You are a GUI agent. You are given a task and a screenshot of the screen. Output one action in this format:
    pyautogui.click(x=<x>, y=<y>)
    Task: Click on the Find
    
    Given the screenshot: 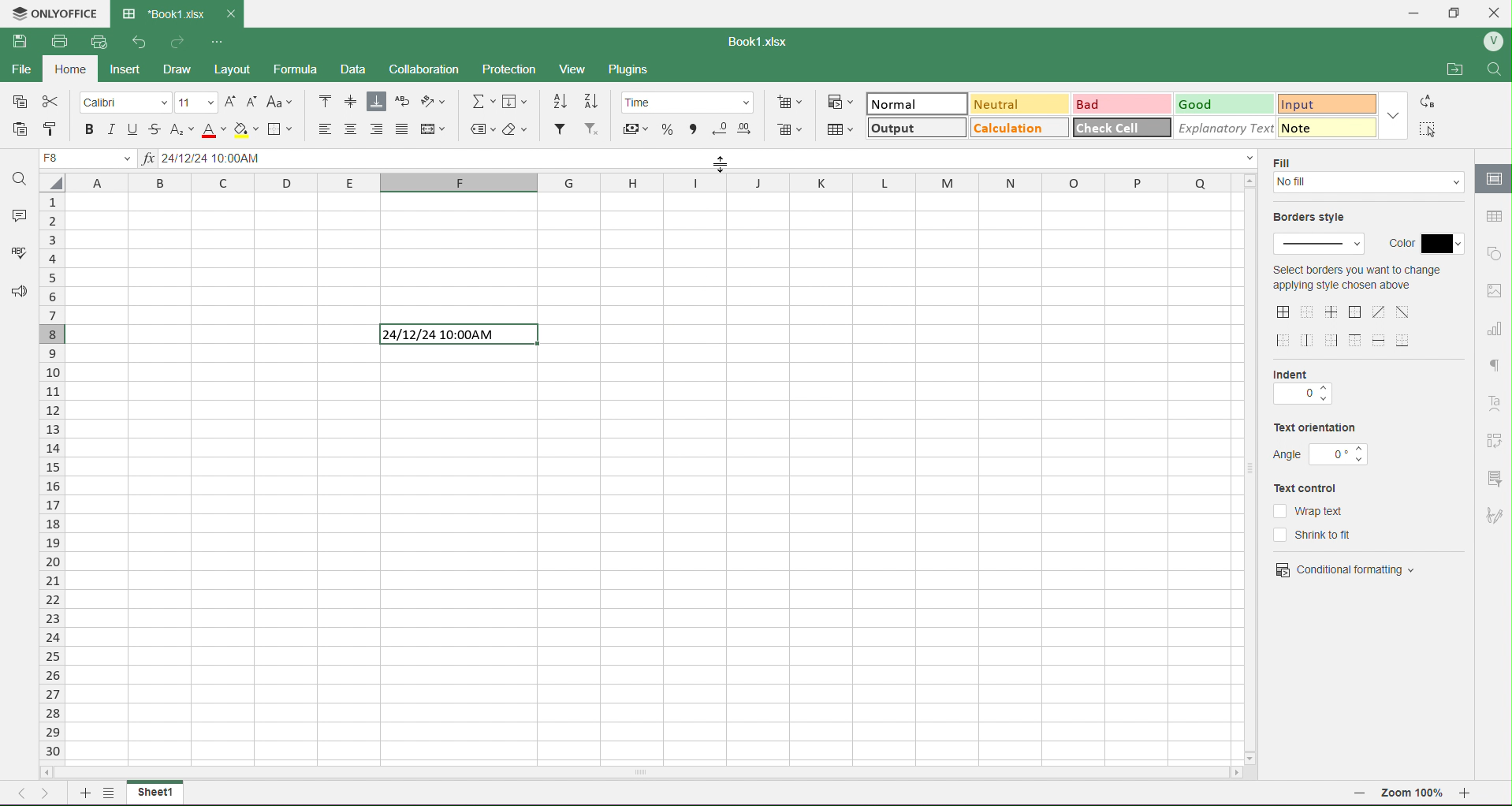 What is the action you would take?
    pyautogui.click(x=20, y=178)
    